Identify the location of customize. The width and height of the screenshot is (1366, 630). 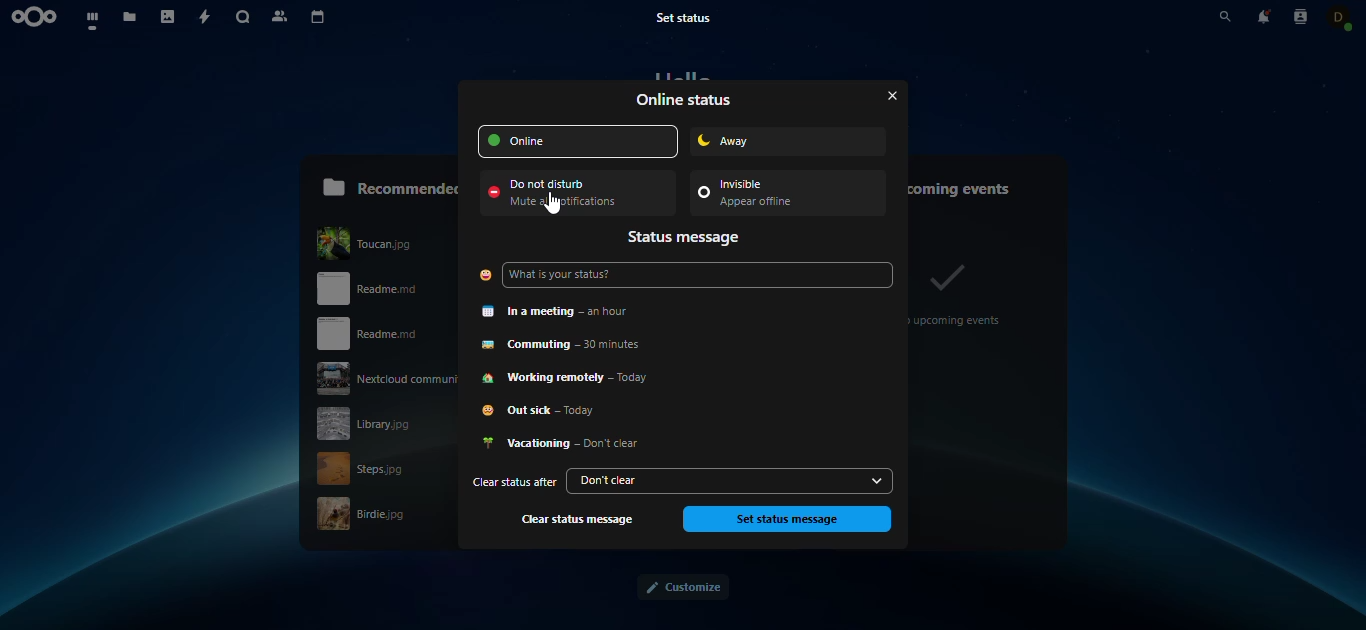
(682, 588).